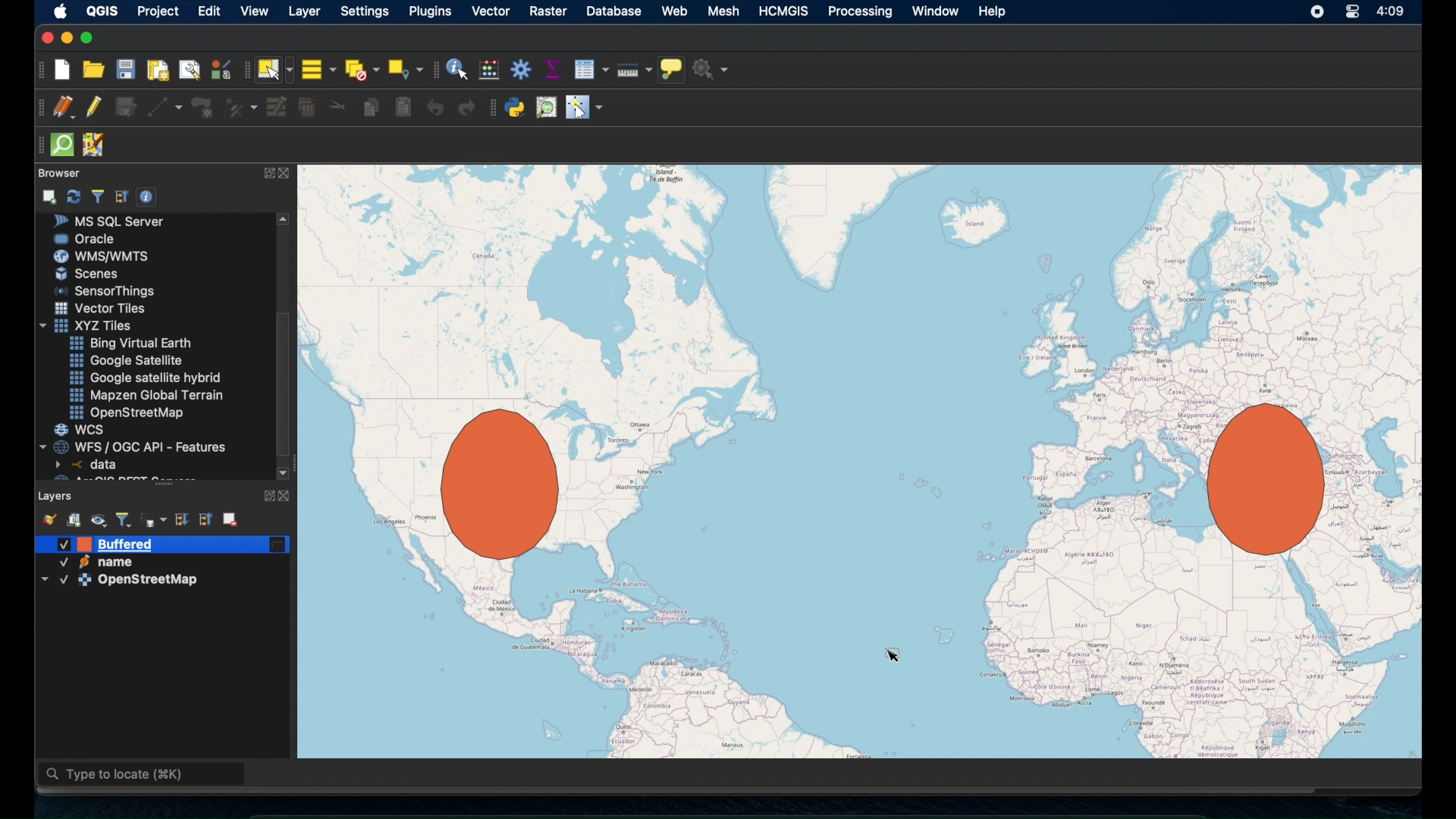 The image size is (1456, 819). Describe the element at coordinates (289, 496) in the screenshot. I see `close` at that location.